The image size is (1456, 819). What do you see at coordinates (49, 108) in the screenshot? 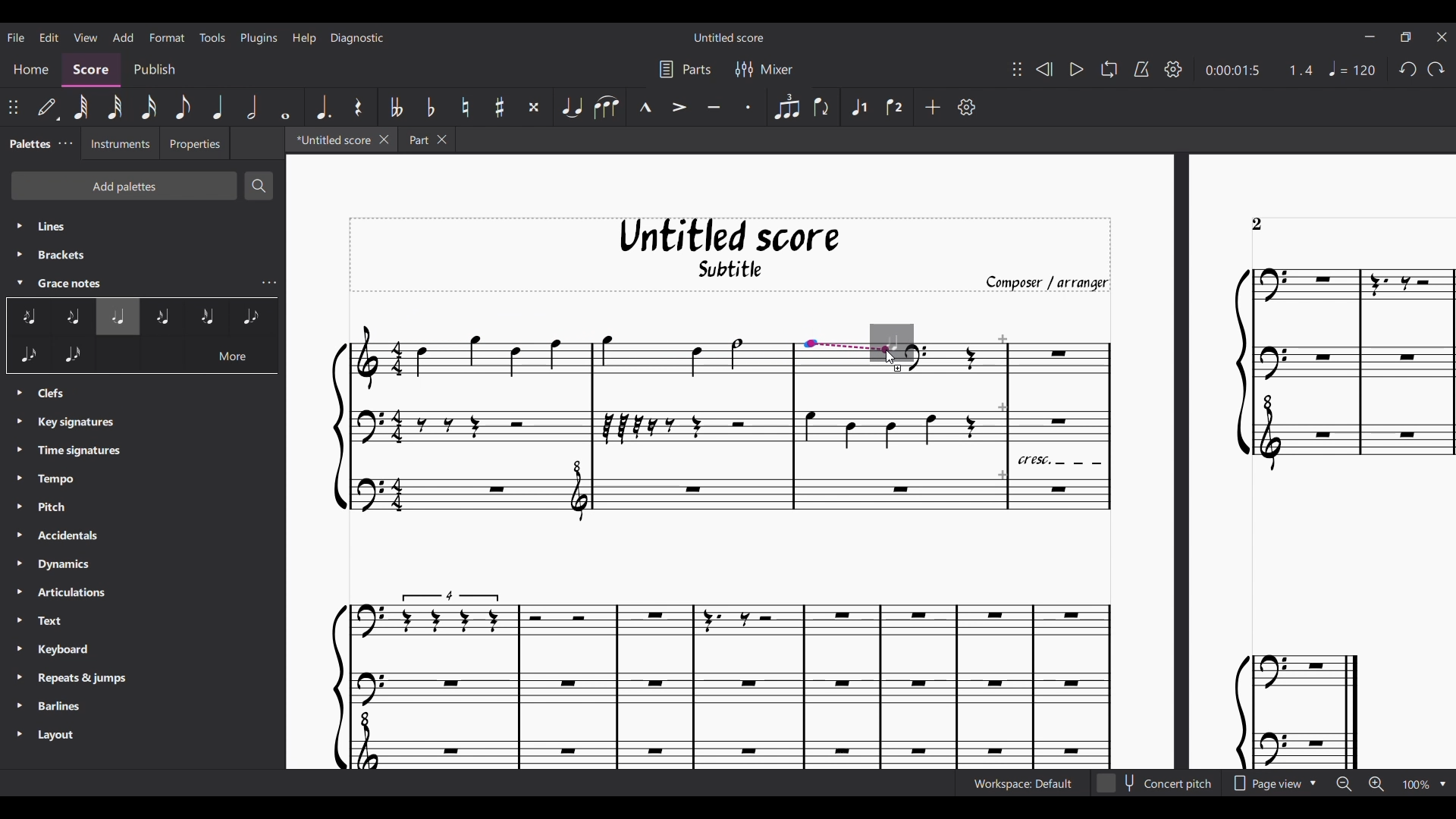
I see `Default` at bounding box center [49, 108].